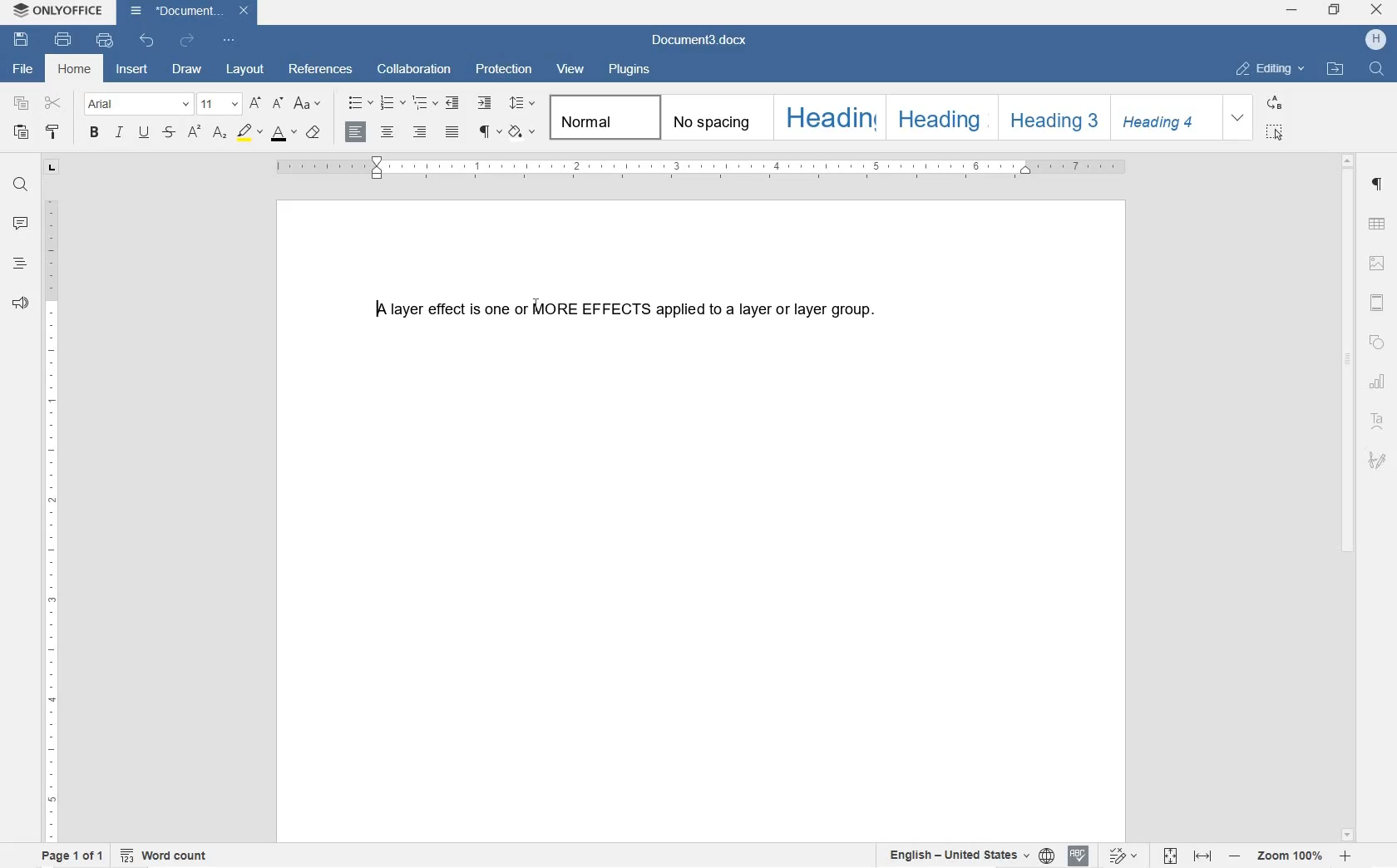 Image resolution: width=1397 pixels, height=868 pixels. What do you see at coordinates (23, 41) in the screenshot?
I see `SAVE` at bounding box center [23, 41].